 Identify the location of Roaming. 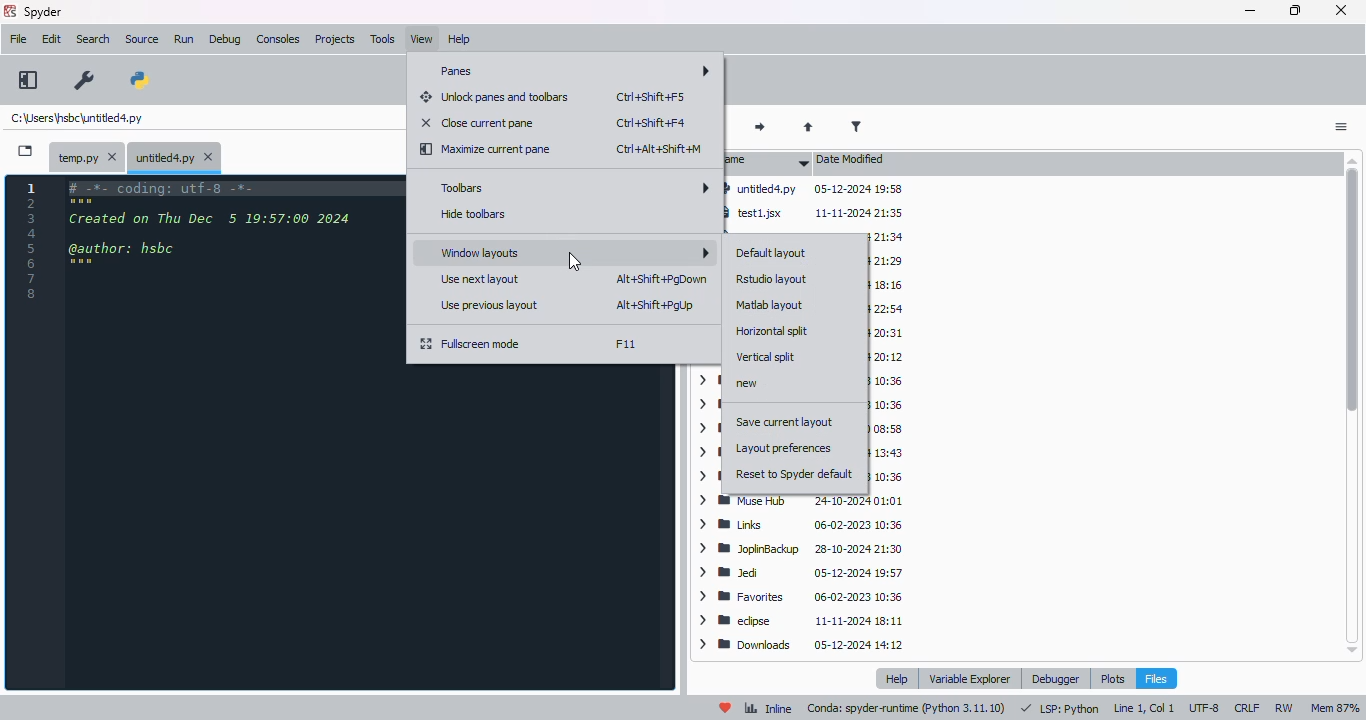
(888, 428).